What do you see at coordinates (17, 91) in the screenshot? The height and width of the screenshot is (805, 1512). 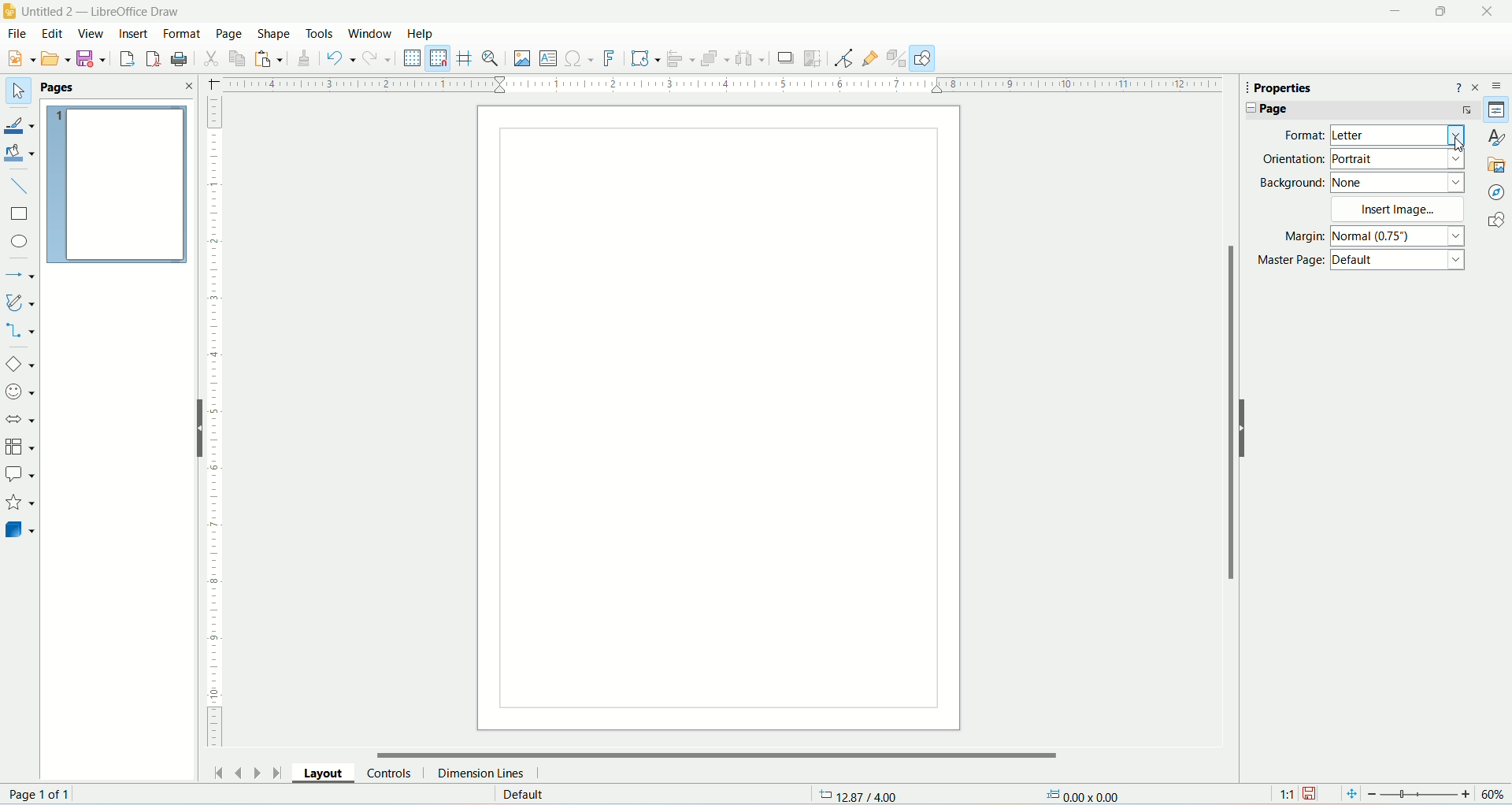 I see `select` at bounding box center [17, 91].